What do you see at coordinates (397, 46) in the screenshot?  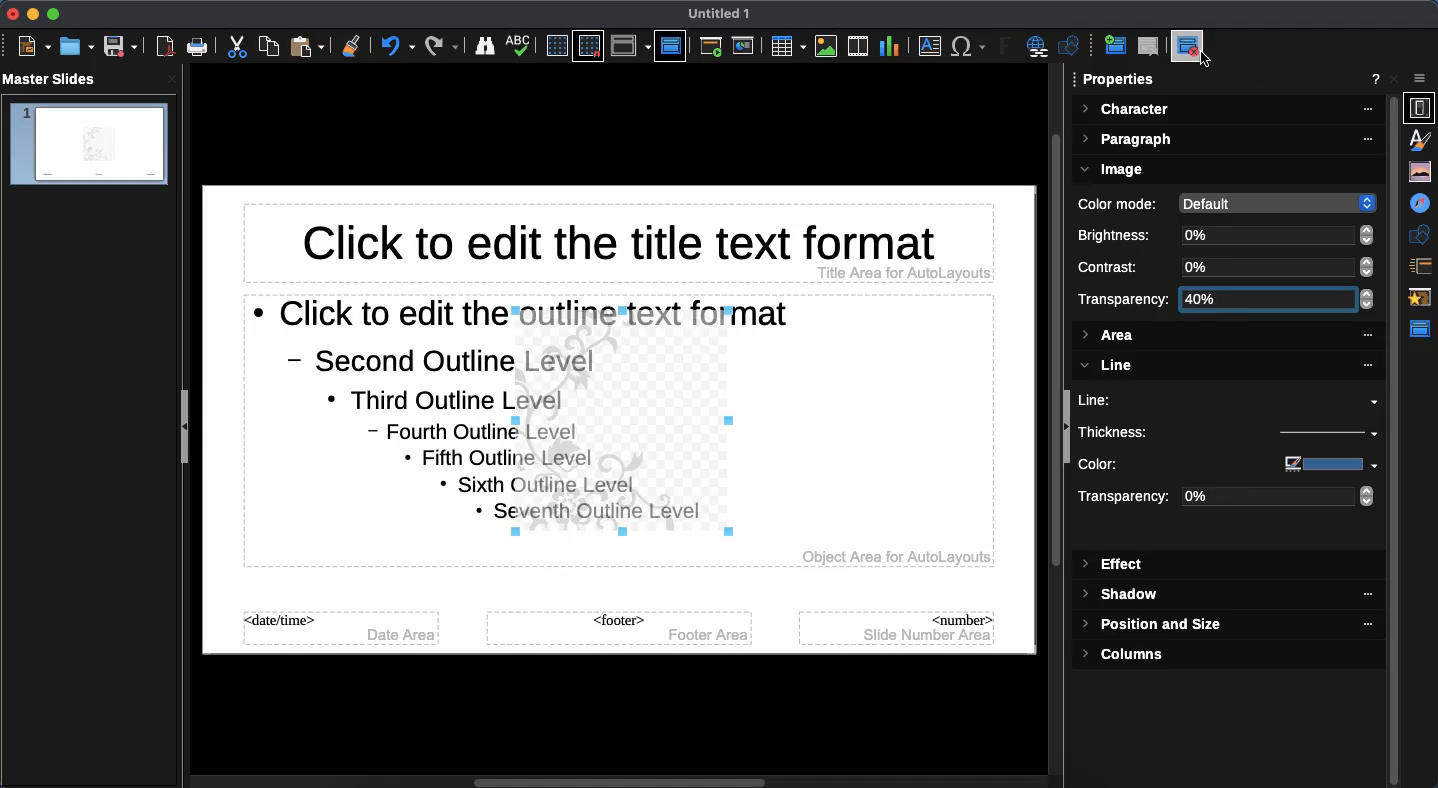 I see `Undo` at bounding box center [397, 46].